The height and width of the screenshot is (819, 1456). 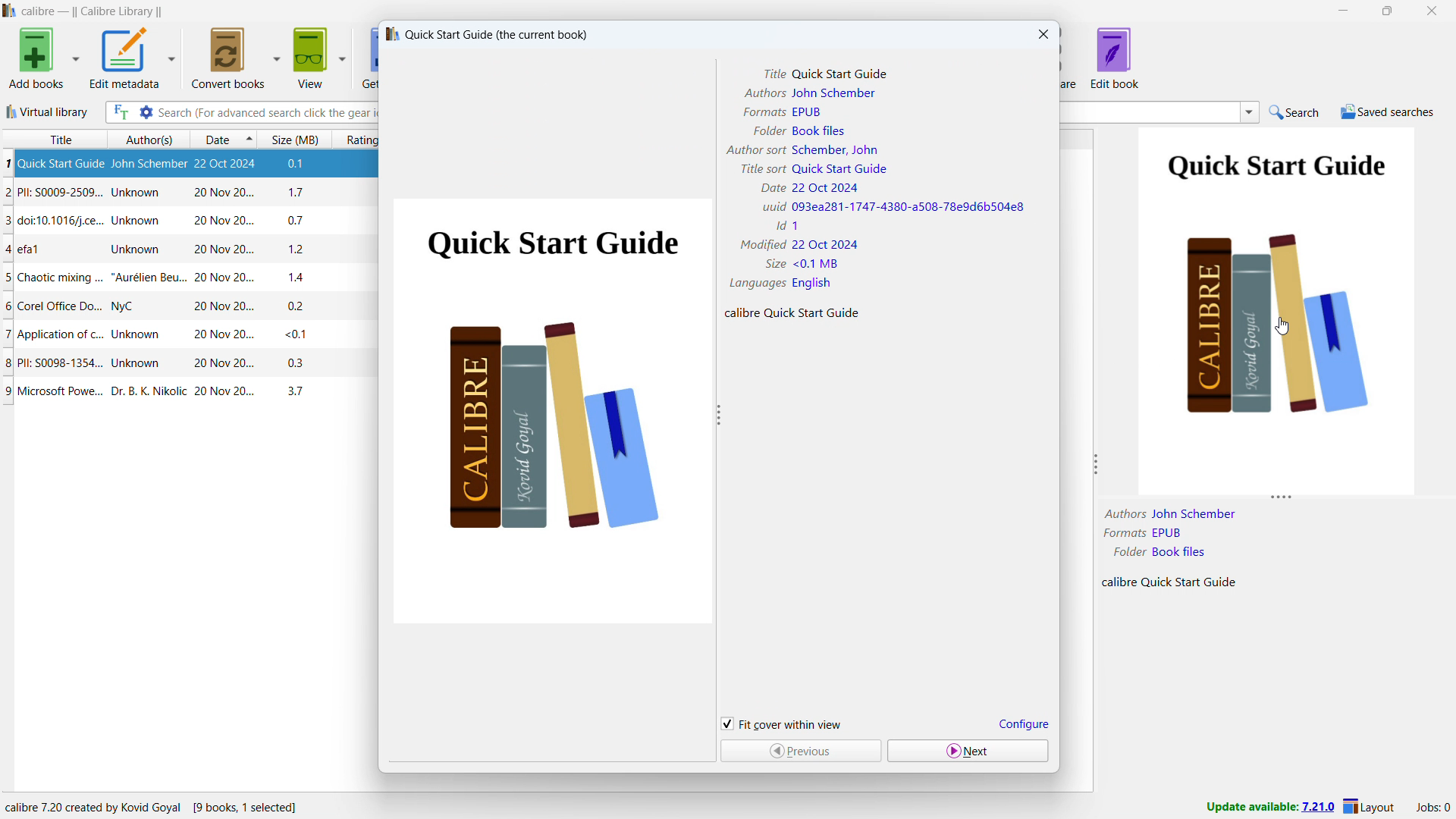 I want to click on Drop down, so click(x=1250, y=112).